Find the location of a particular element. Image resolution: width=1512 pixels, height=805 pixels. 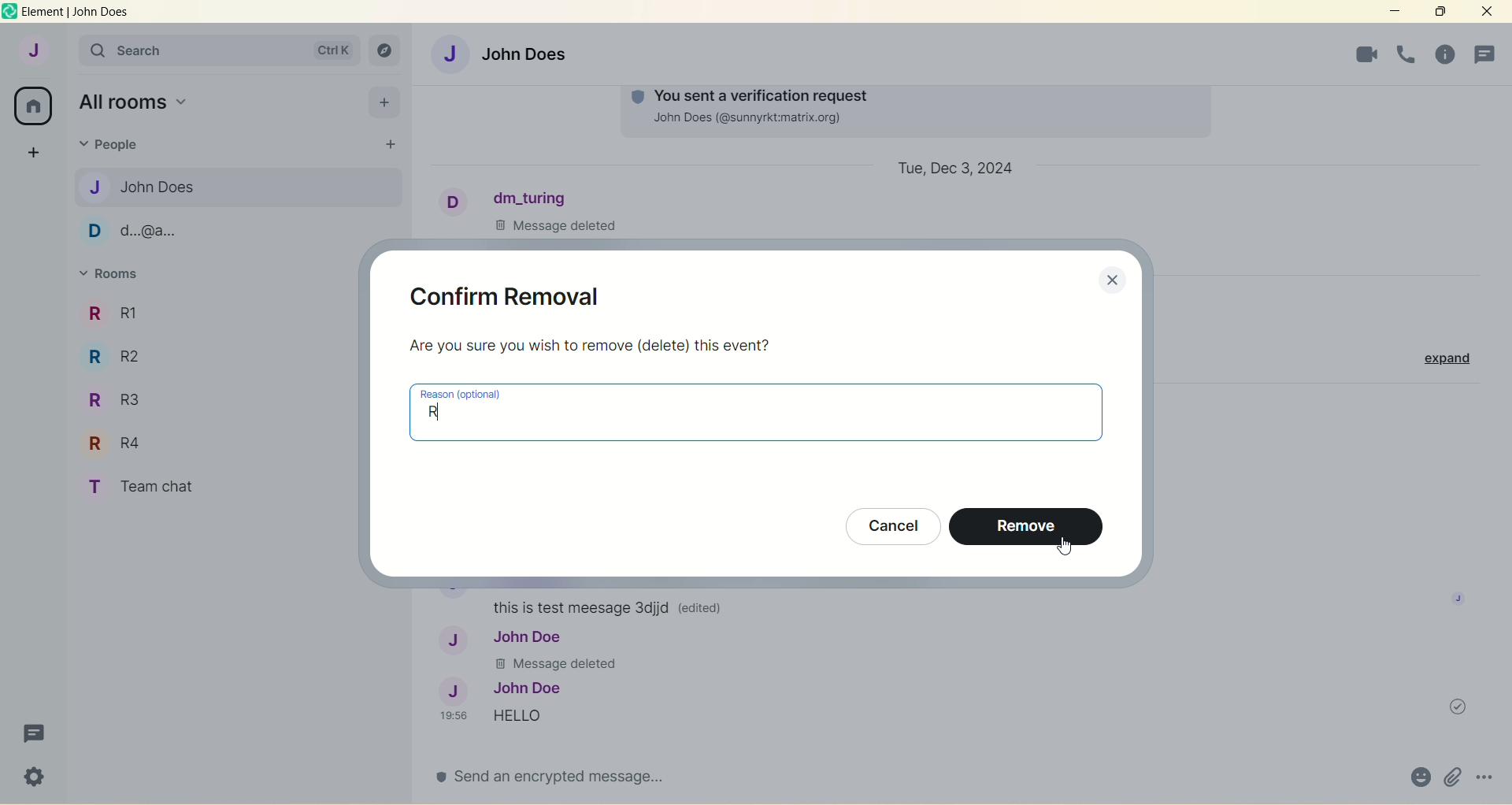

R1 is located at coordinates (136, 308).